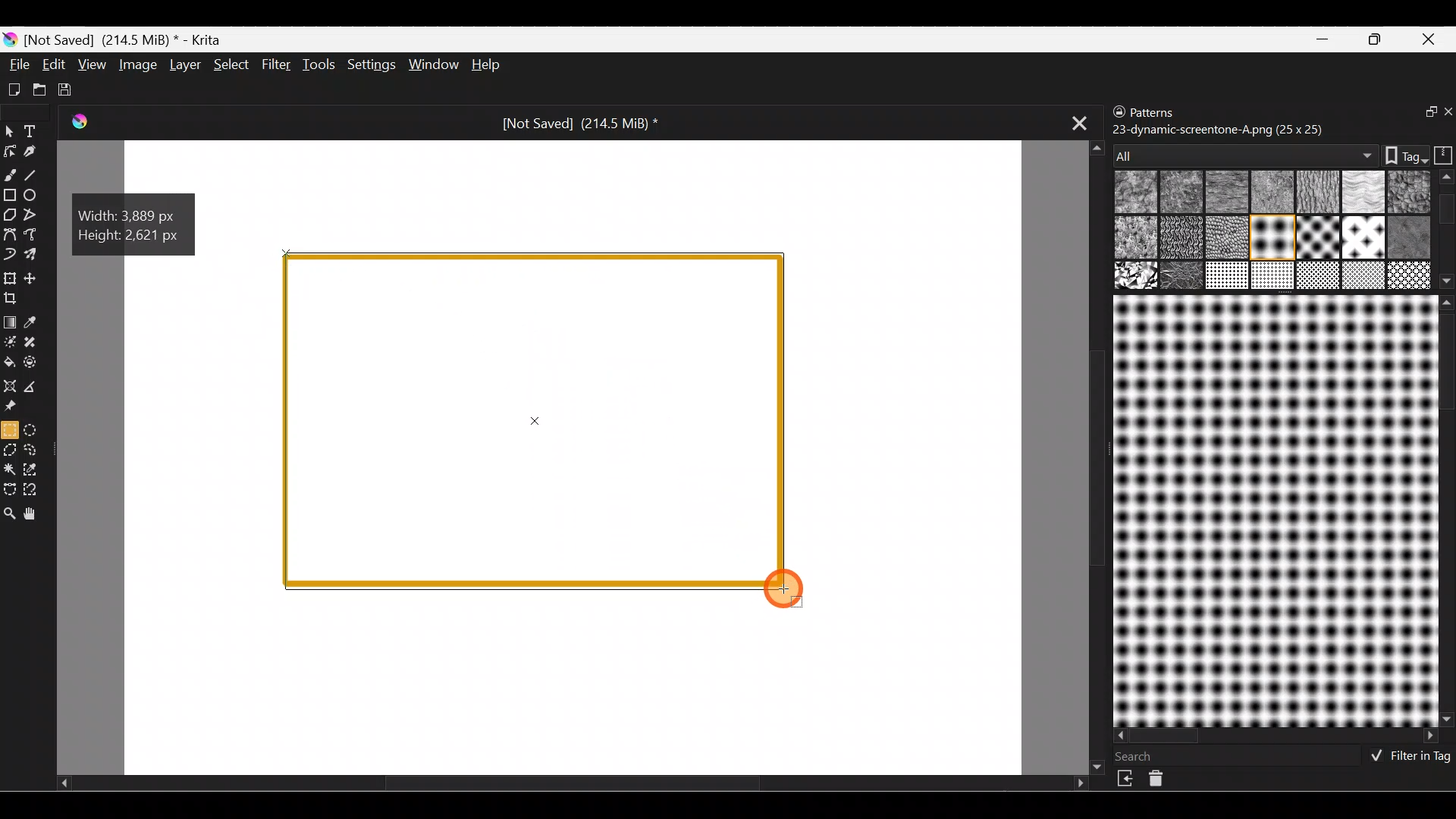 The image size is (1456, 819). What do you see at coordinates (17, 64) in the screenshot?
I see `File` at bounding box center [17, 64].